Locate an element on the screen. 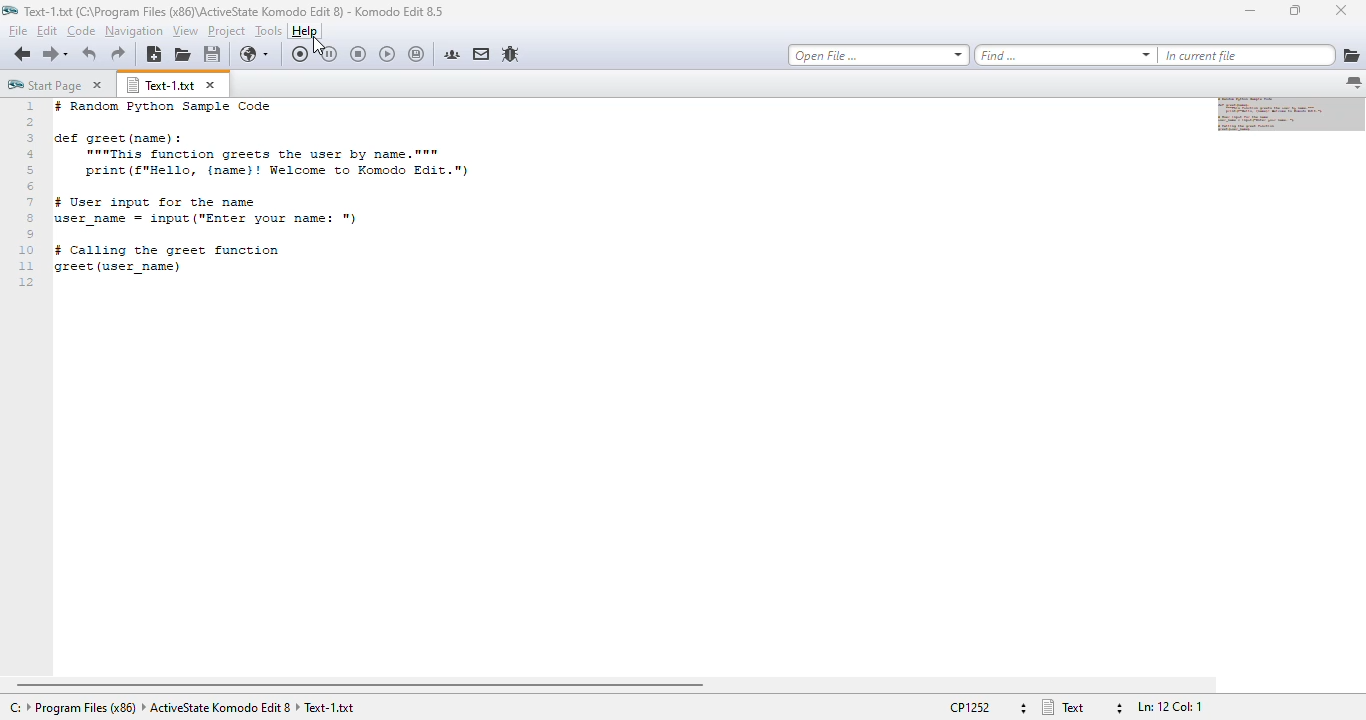 This screenshot has width=1366, height=720. record macro is located at coordinates (300, 54).